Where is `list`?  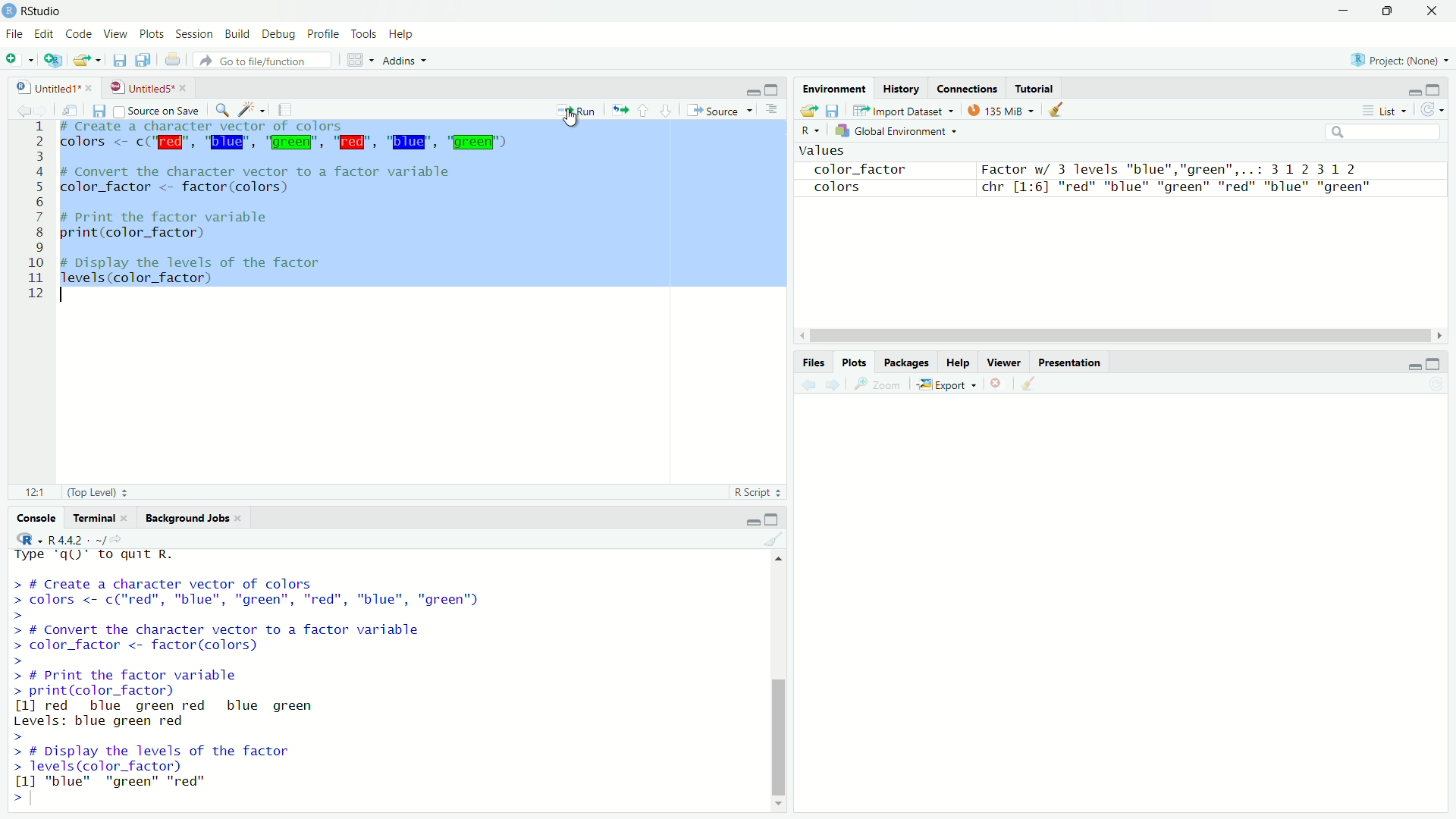 list is located at coordinates (1382, 111).